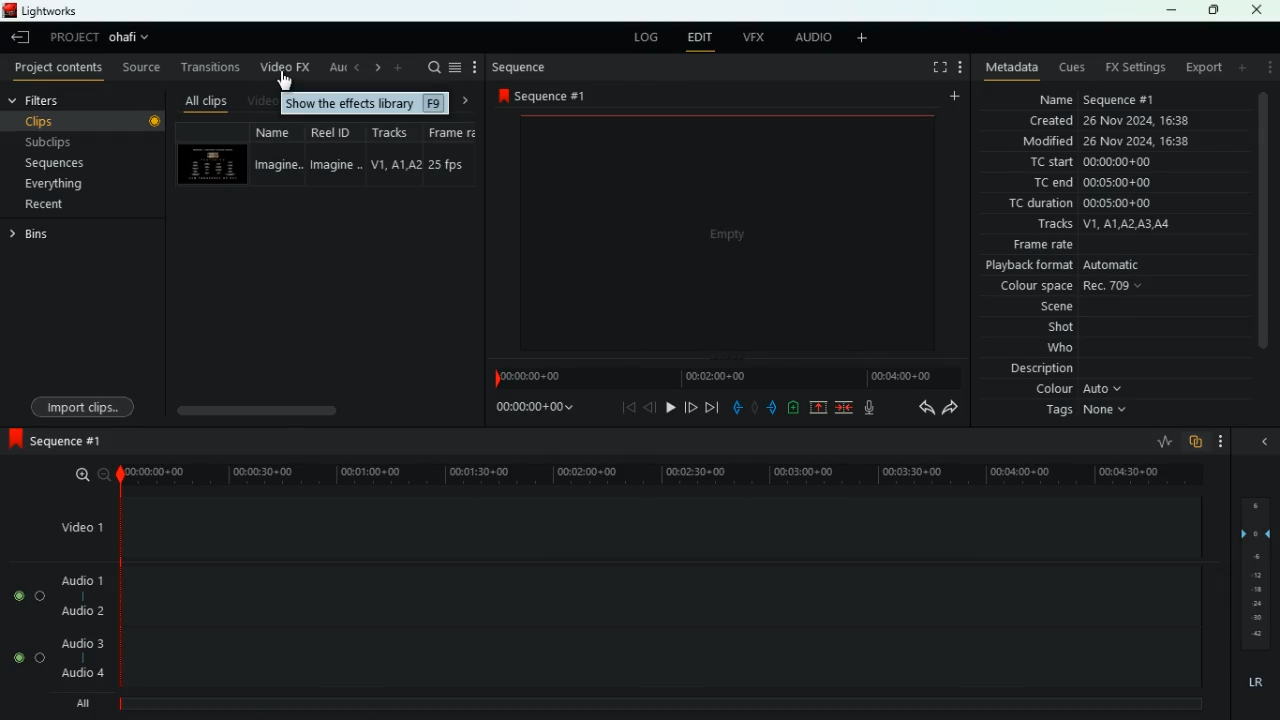 This screenshot has height=720, width=1280. Describe the element at coordinates (726, 231) in the screenshot. I see `image` at that location.